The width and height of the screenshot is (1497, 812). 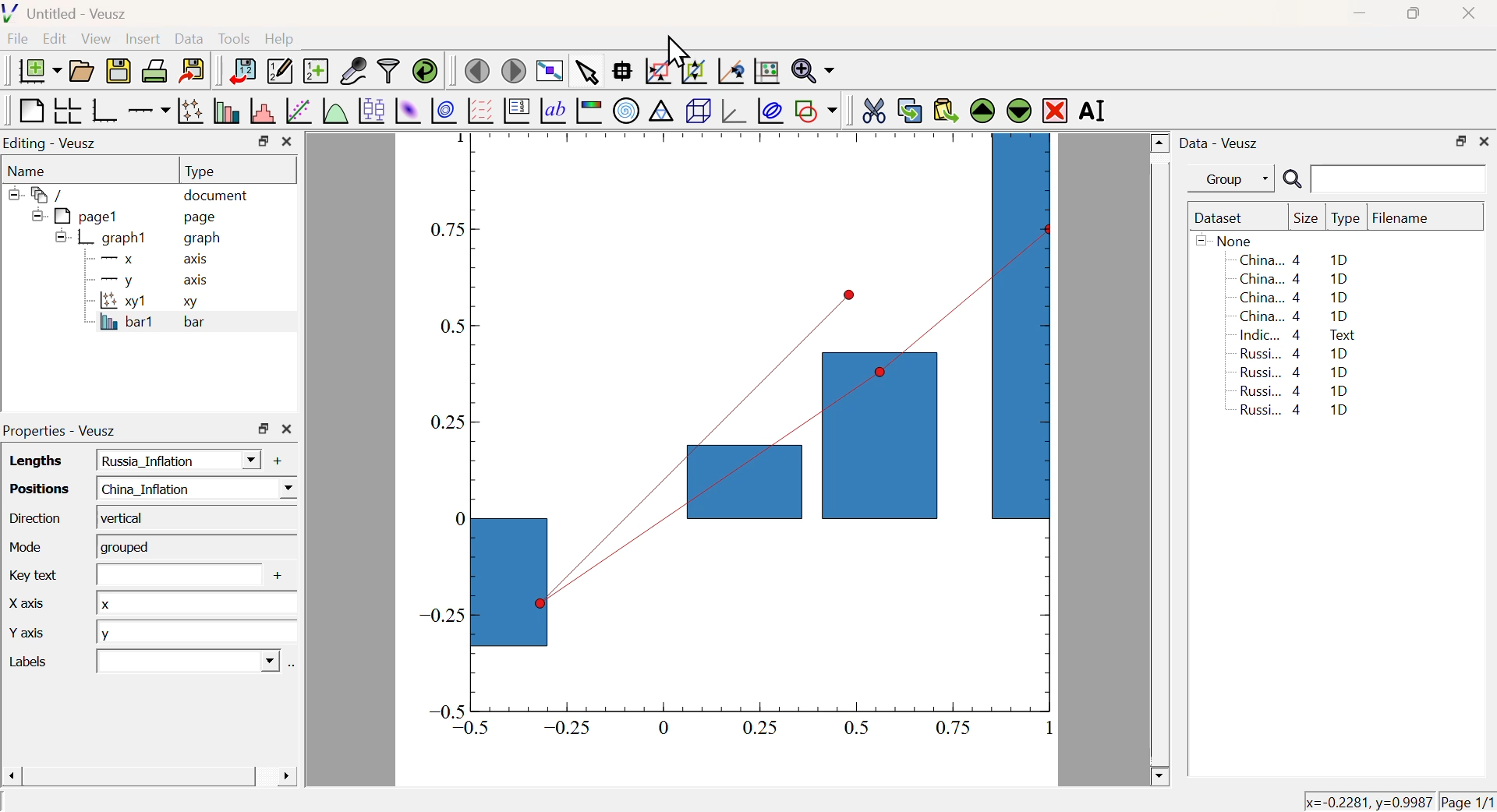 I want to click on Plot 2D set as contours, so click(x=444, y=111).